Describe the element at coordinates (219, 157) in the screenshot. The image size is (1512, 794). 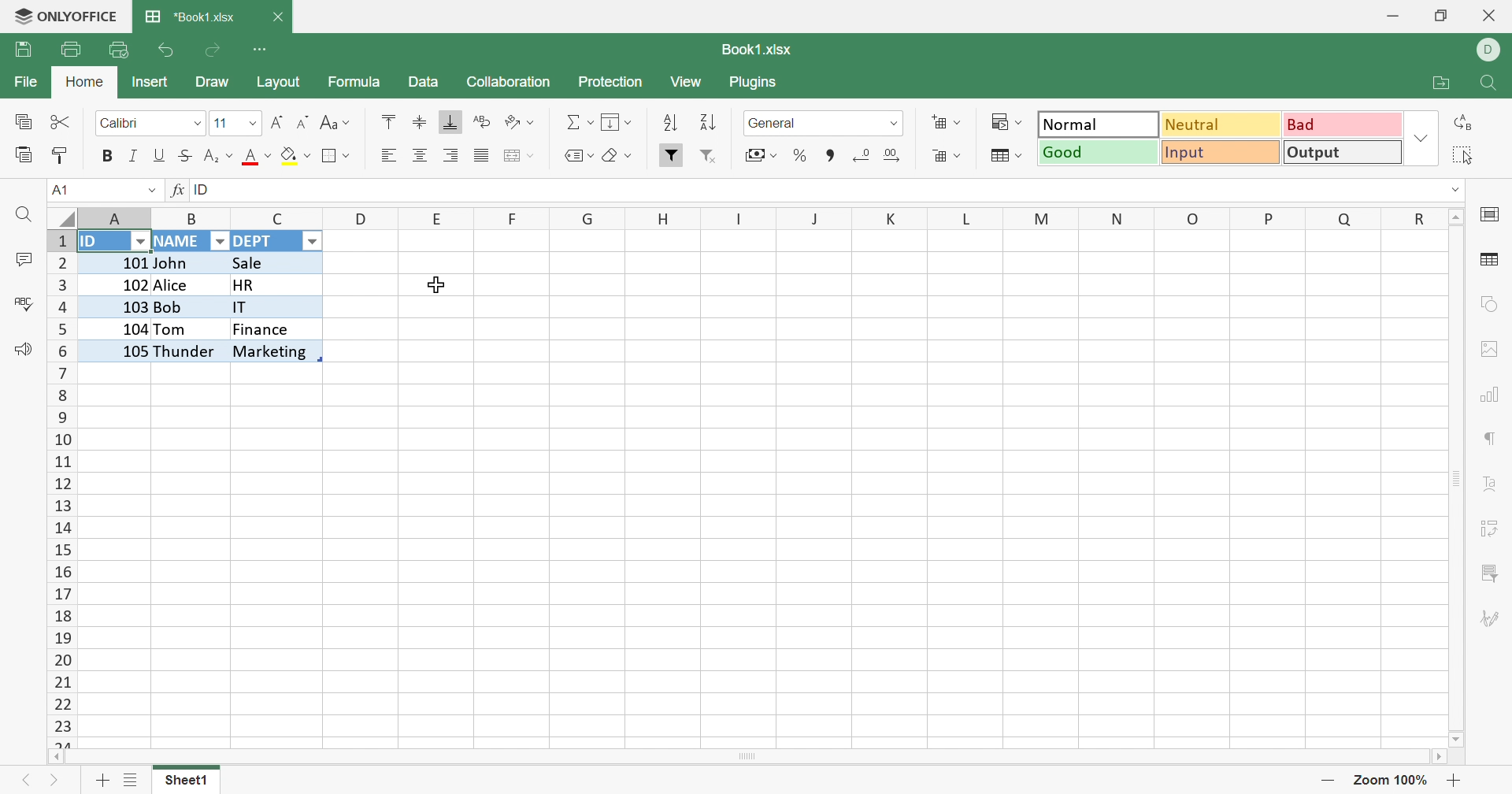
I see `Superscript / subscript` at that location.